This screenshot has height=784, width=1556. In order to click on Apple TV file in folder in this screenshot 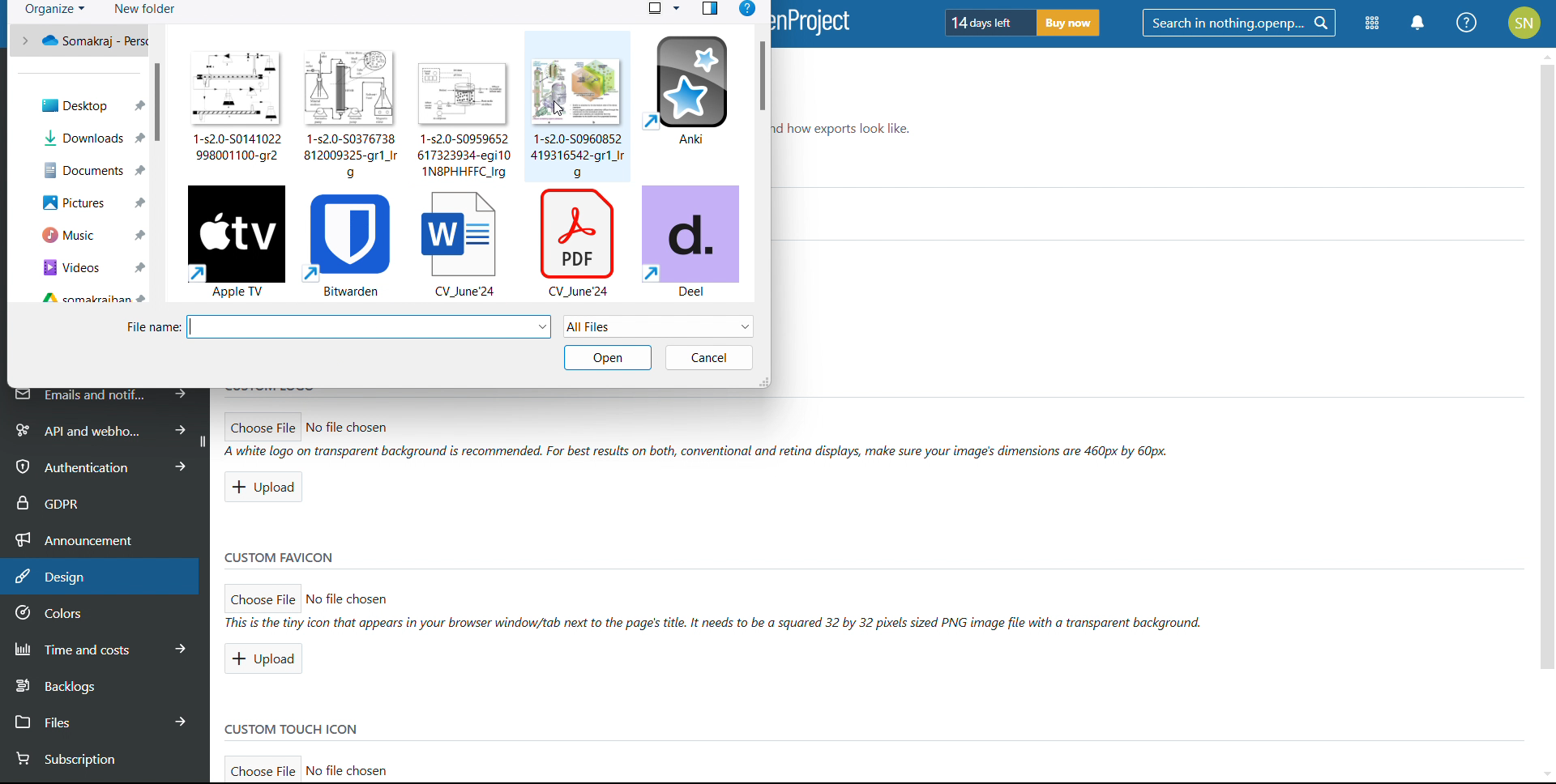, I will do `click(234, 239)`.